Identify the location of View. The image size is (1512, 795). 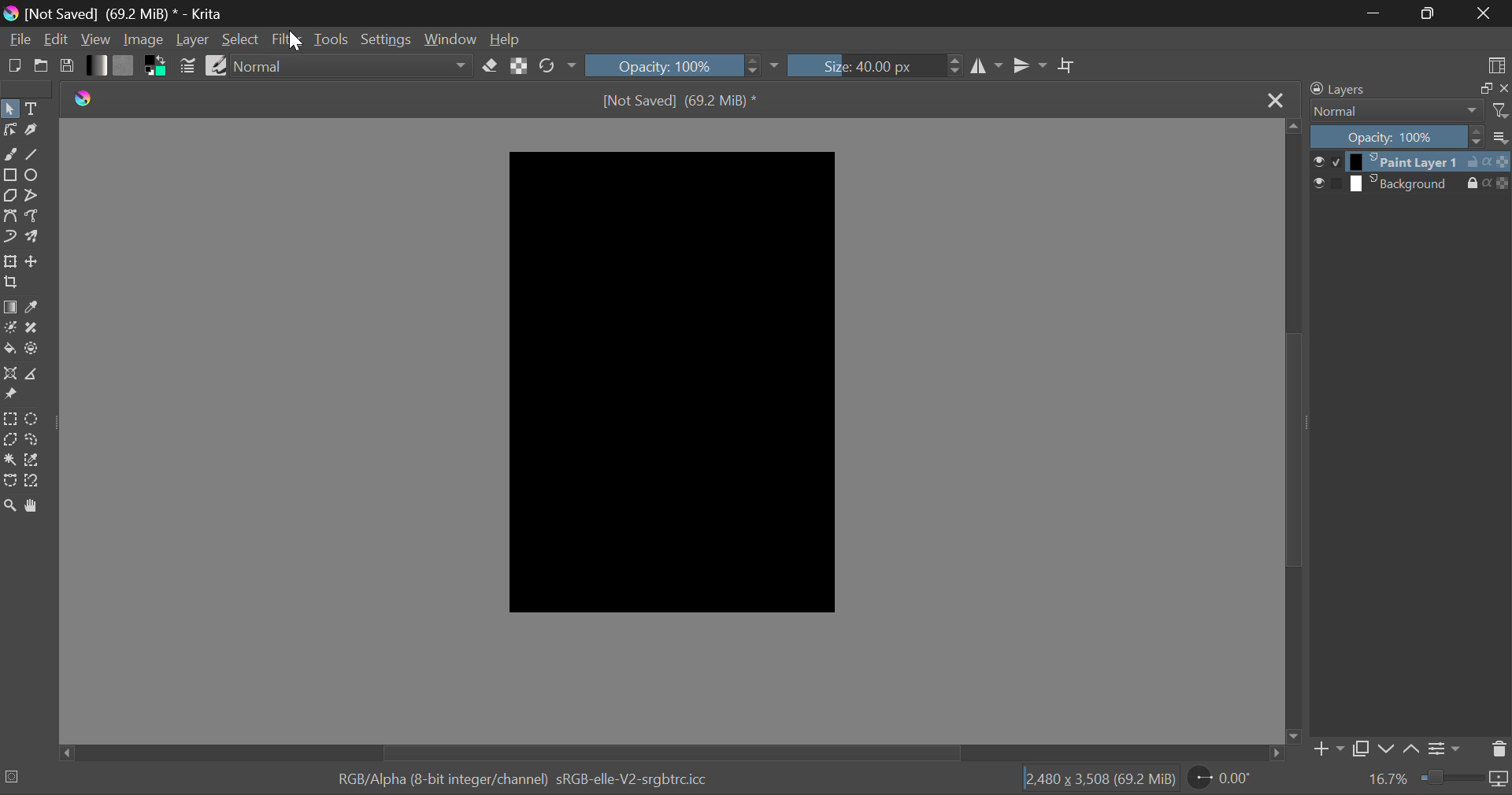
(96, 40).